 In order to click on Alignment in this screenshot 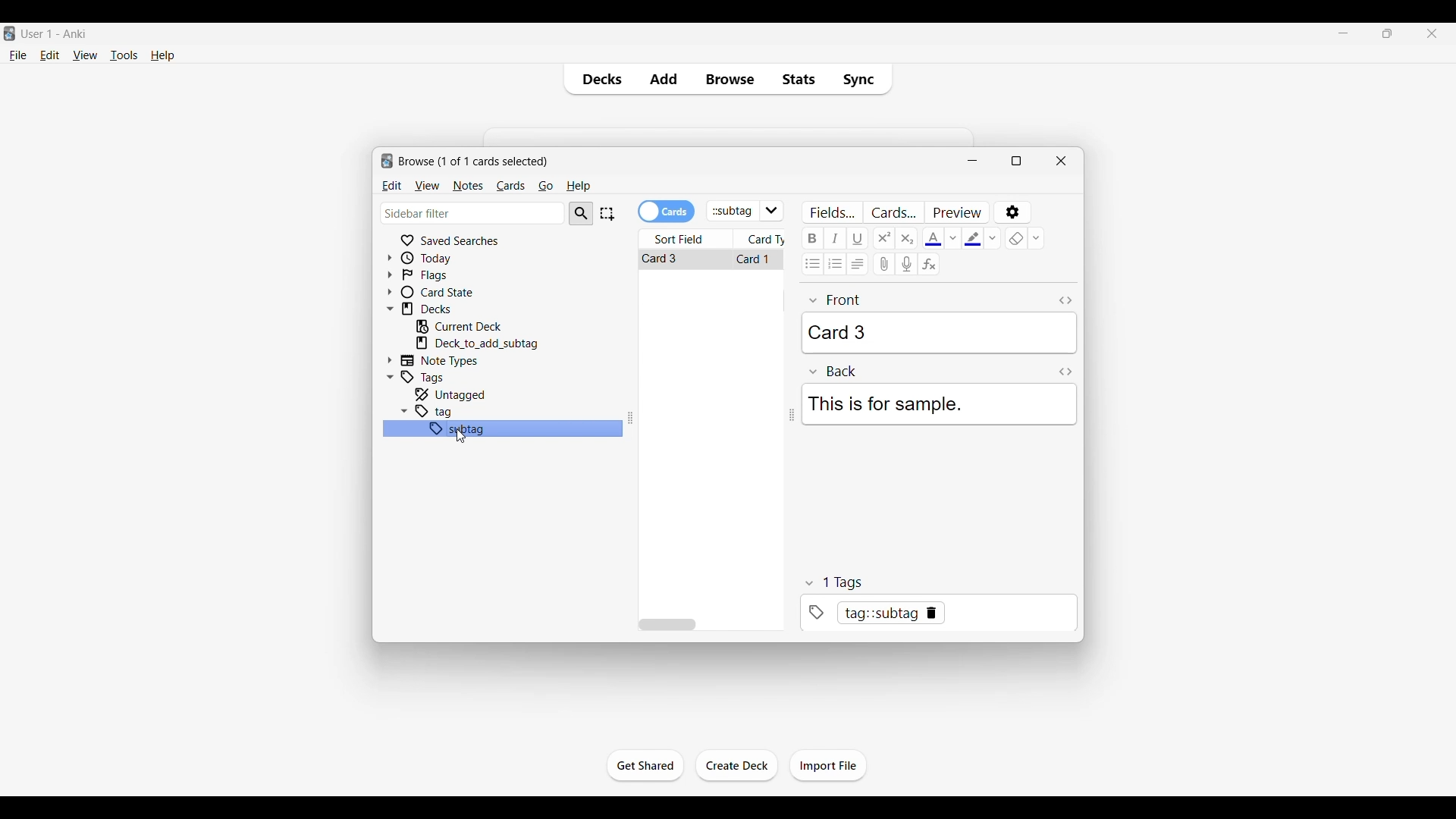, I will do `click(857, 264)`.